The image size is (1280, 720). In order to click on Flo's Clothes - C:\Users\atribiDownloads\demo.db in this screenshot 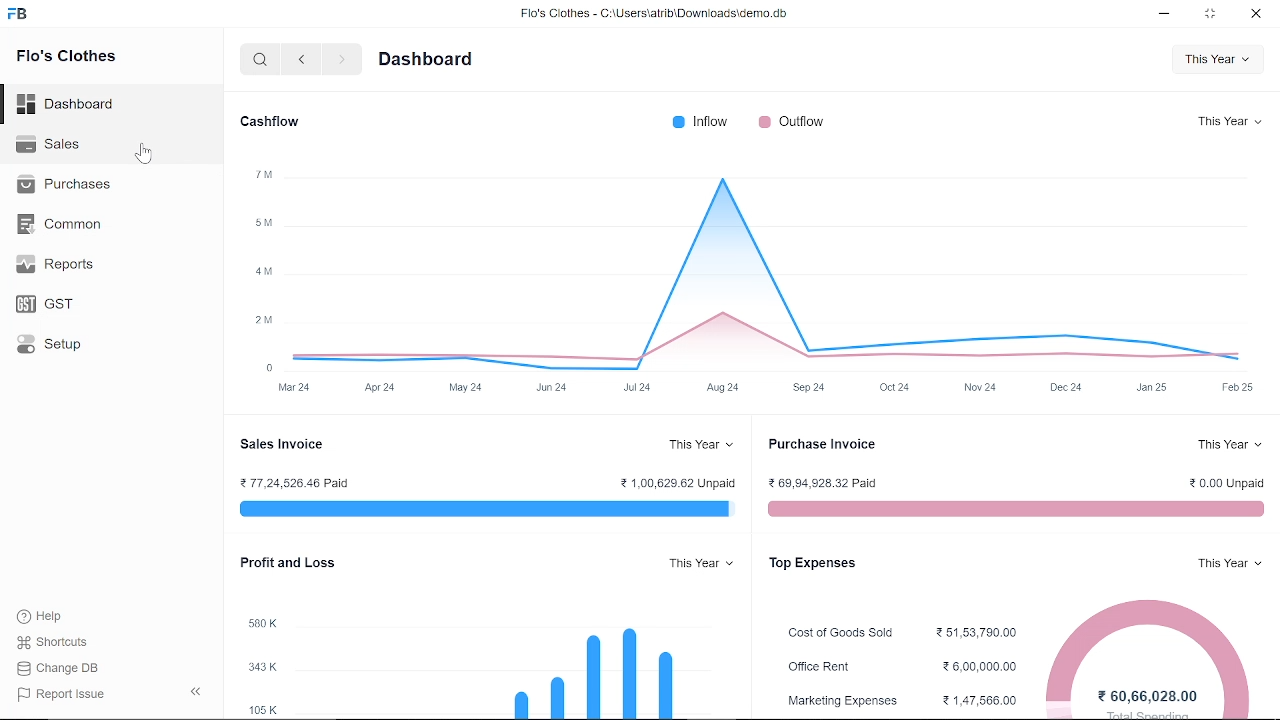, I will do `click(659, 17)`.